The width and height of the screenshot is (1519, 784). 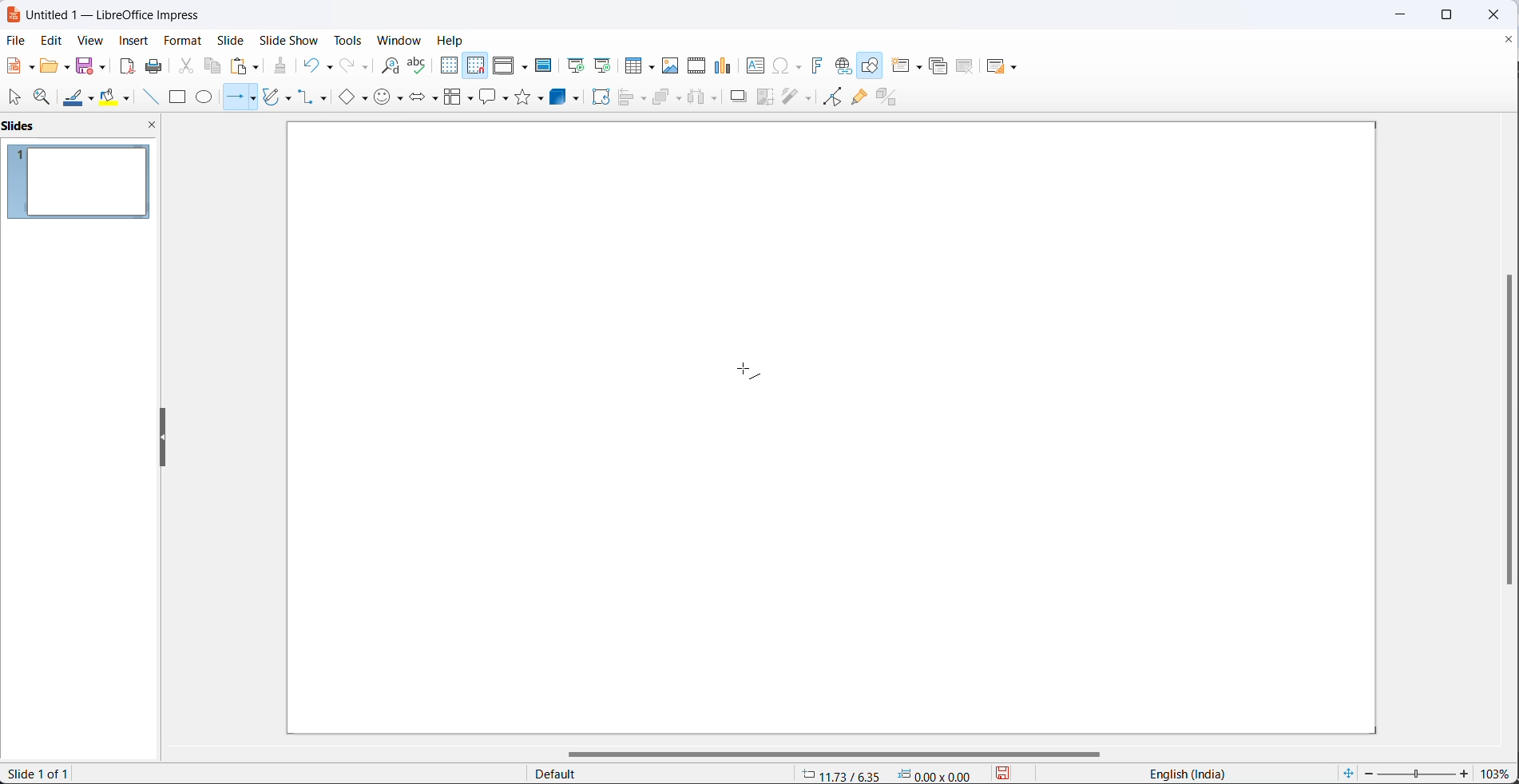 What do you see at coordinates (1499, 14) in the screenshot?
I see `close` at bounding box center [1499, 14].